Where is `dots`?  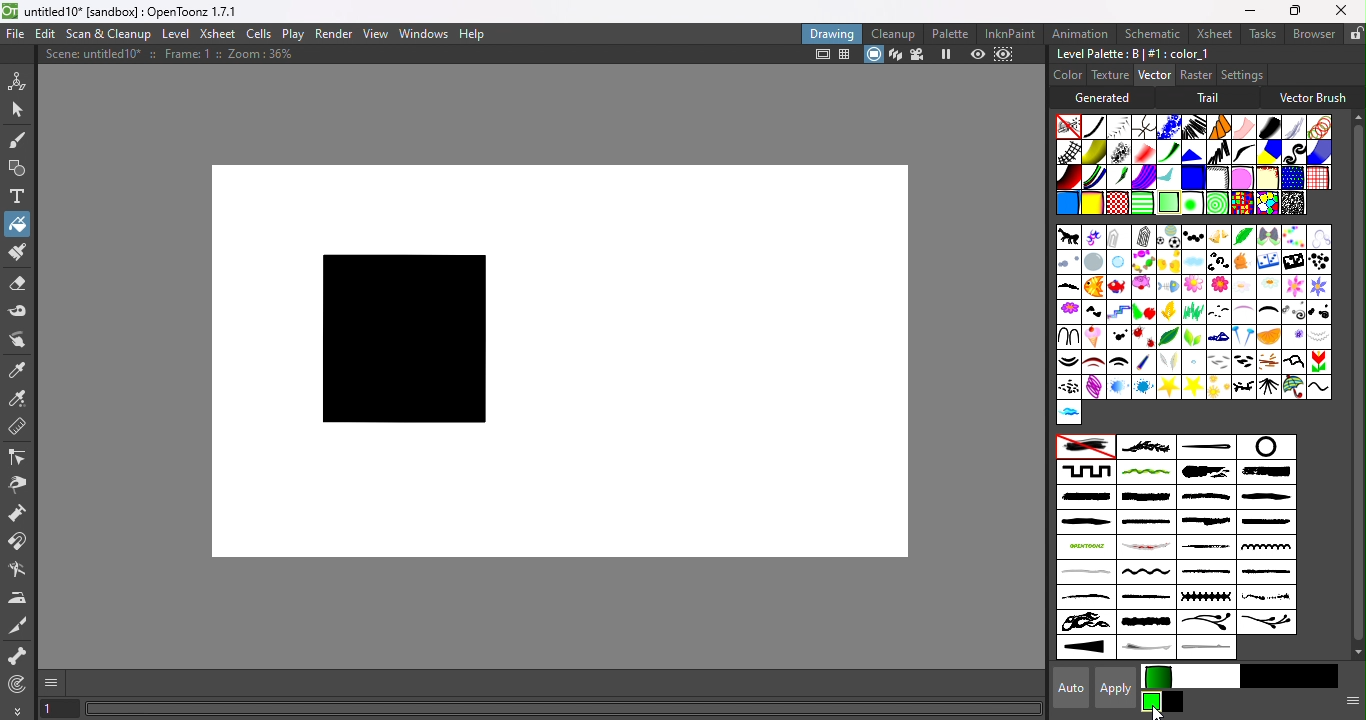
dots is located at coordinates (1119, 337).